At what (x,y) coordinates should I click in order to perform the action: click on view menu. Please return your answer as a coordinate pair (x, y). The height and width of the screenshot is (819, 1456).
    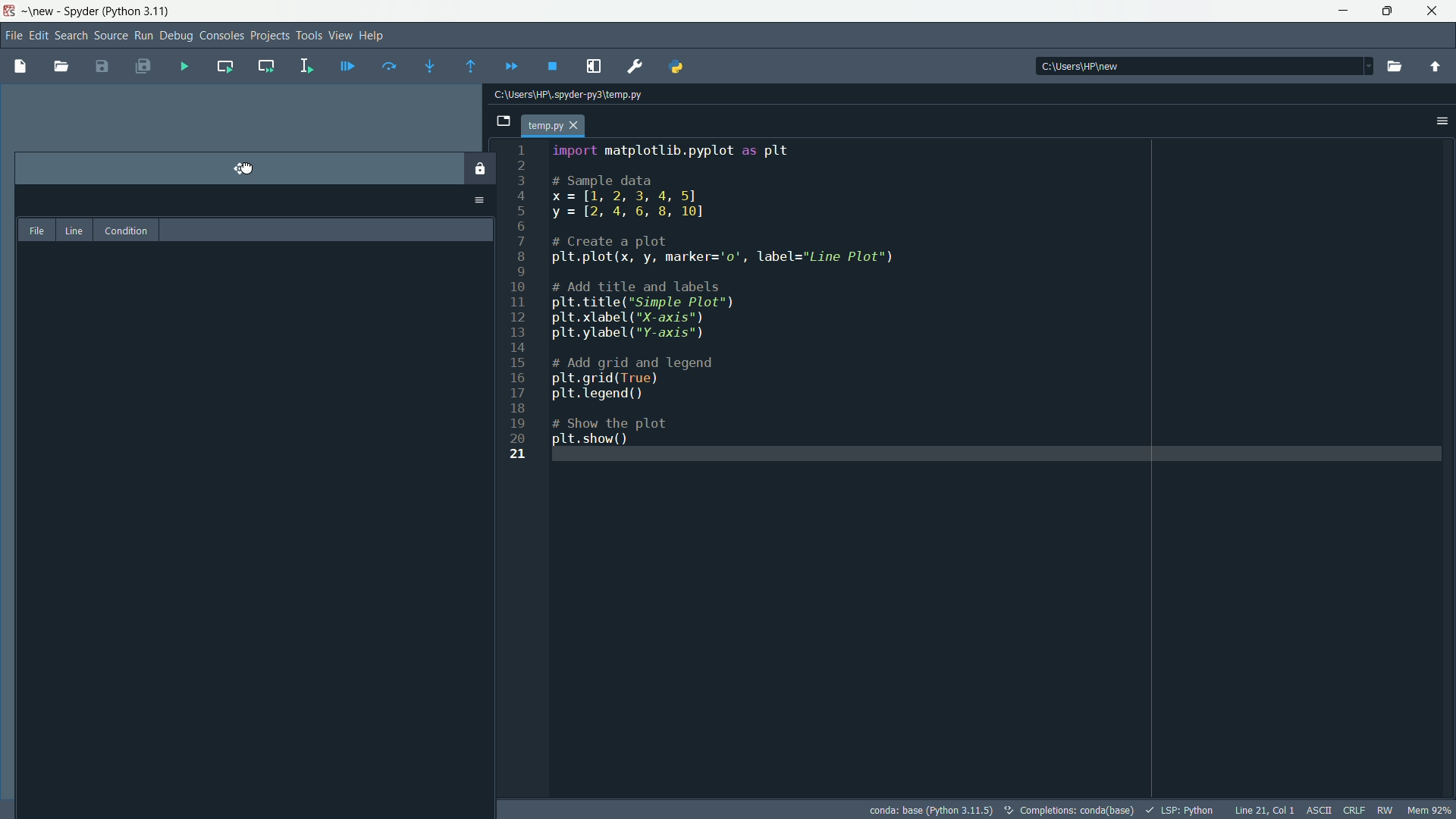
    Looking at the image, I should click on (340, 35).